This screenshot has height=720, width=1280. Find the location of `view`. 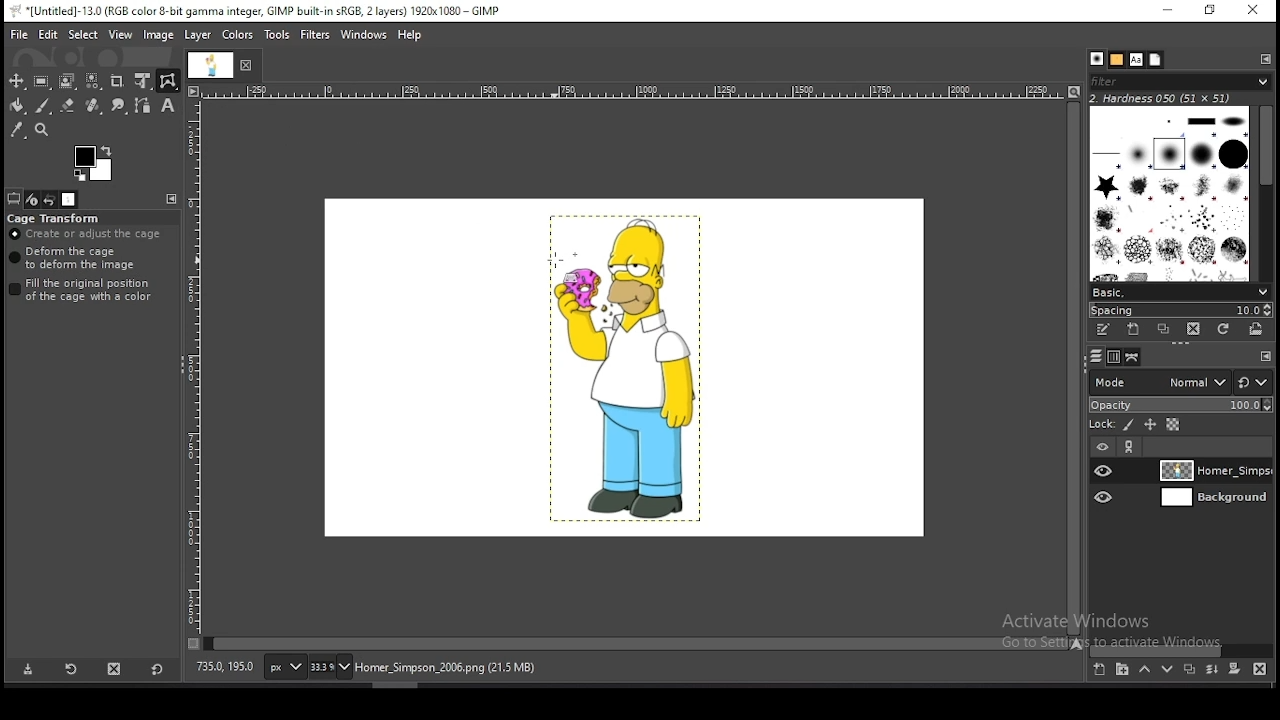

view is located at coordinates (121, 34).